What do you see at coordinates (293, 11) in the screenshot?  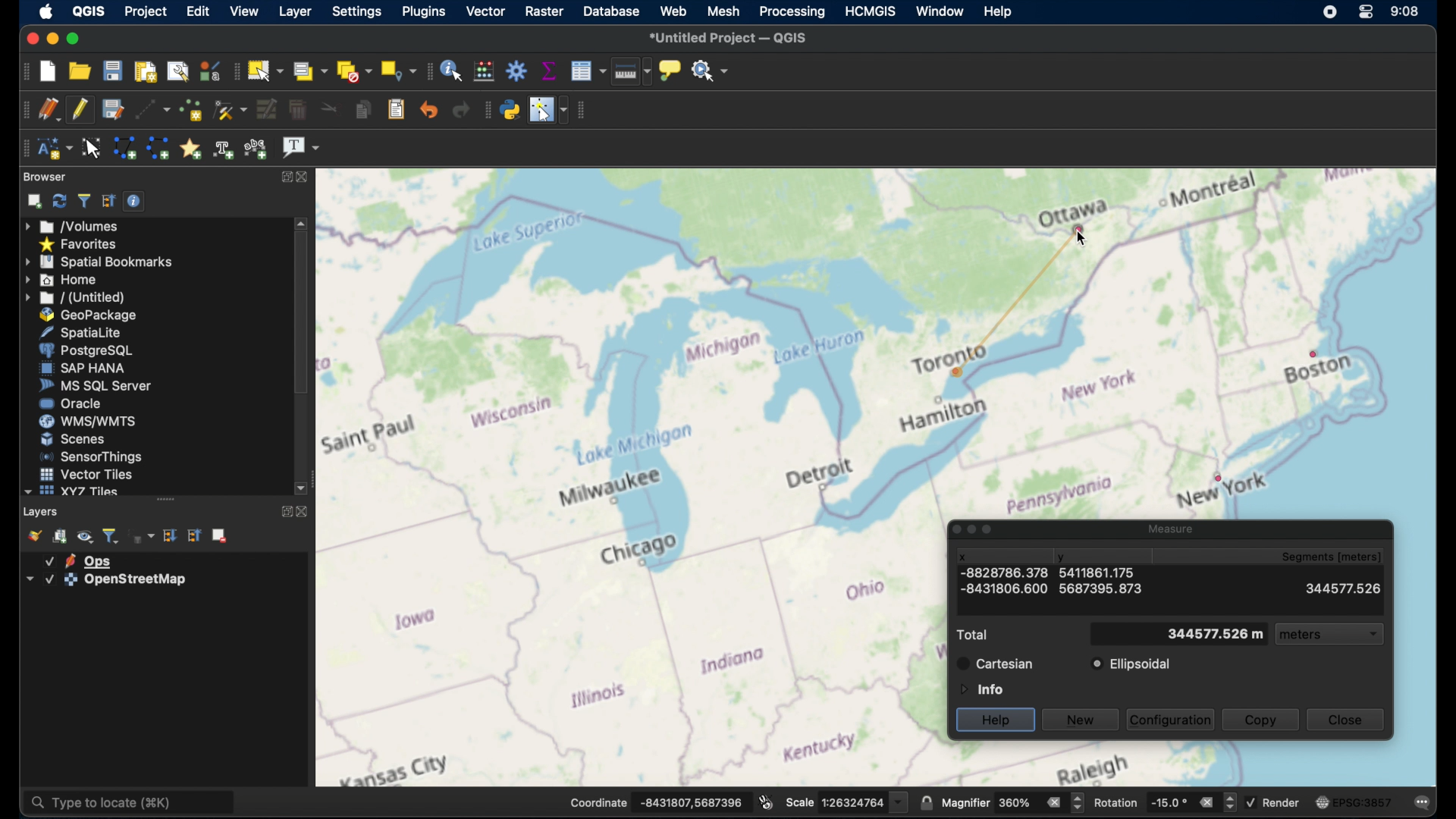 I see `layer` at bounding box center [293, 11].